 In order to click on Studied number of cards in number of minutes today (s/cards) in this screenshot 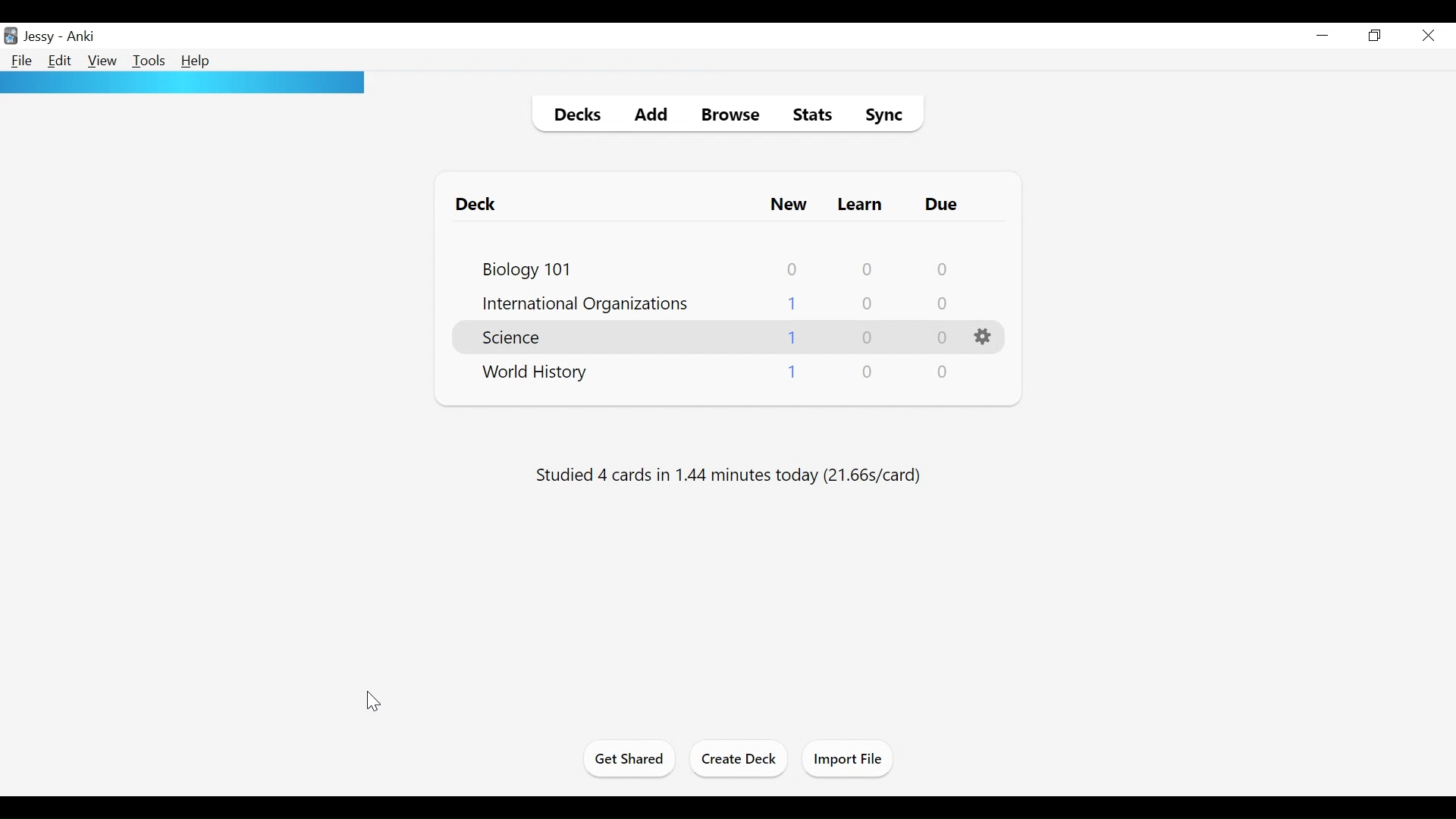, I will do `click(724, 477)`.